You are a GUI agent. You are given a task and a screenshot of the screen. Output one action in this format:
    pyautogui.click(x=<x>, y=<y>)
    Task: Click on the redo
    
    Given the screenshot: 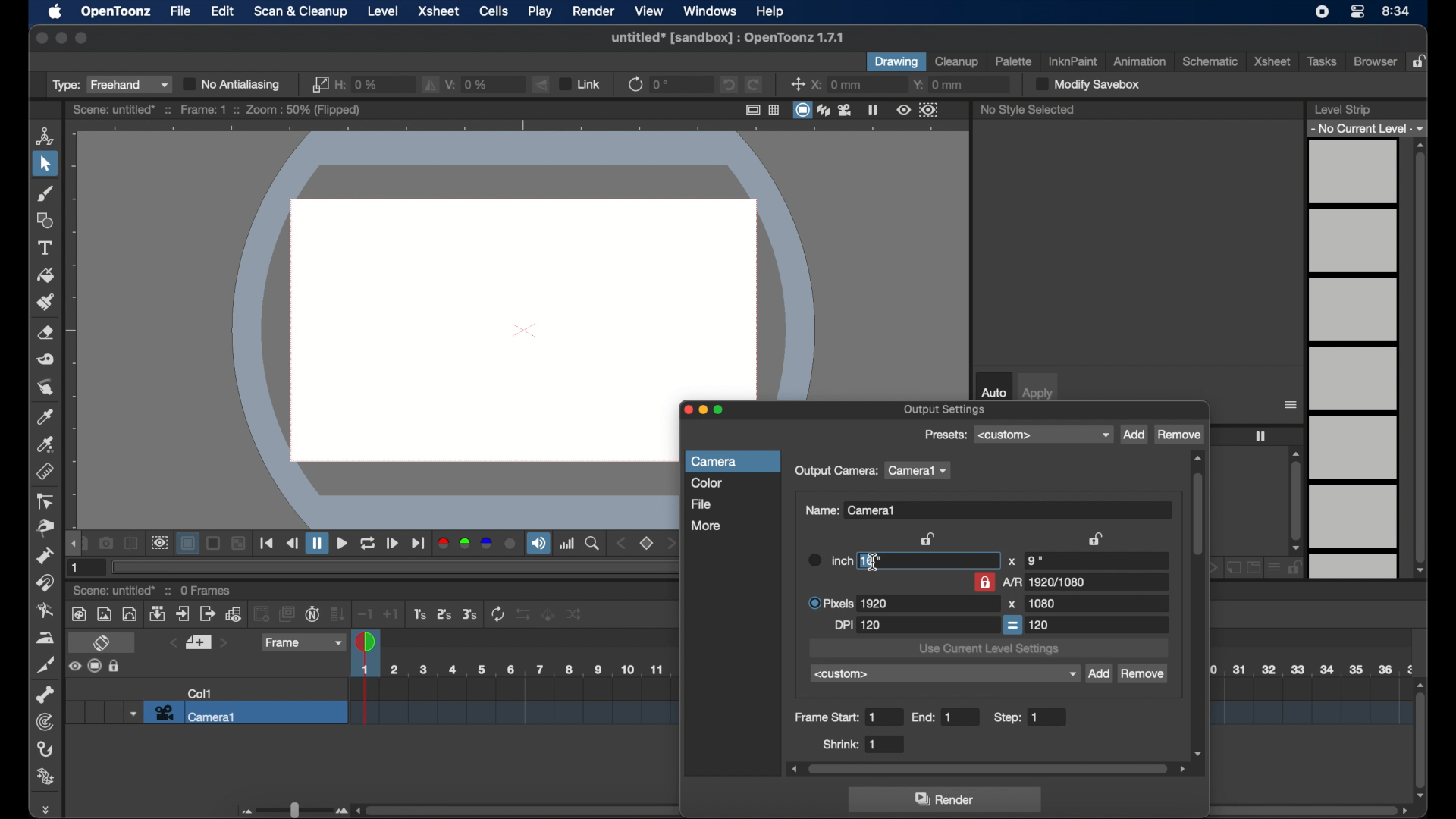 What is the action you would take?
    pyautogui.click(x=754, y=85)
    